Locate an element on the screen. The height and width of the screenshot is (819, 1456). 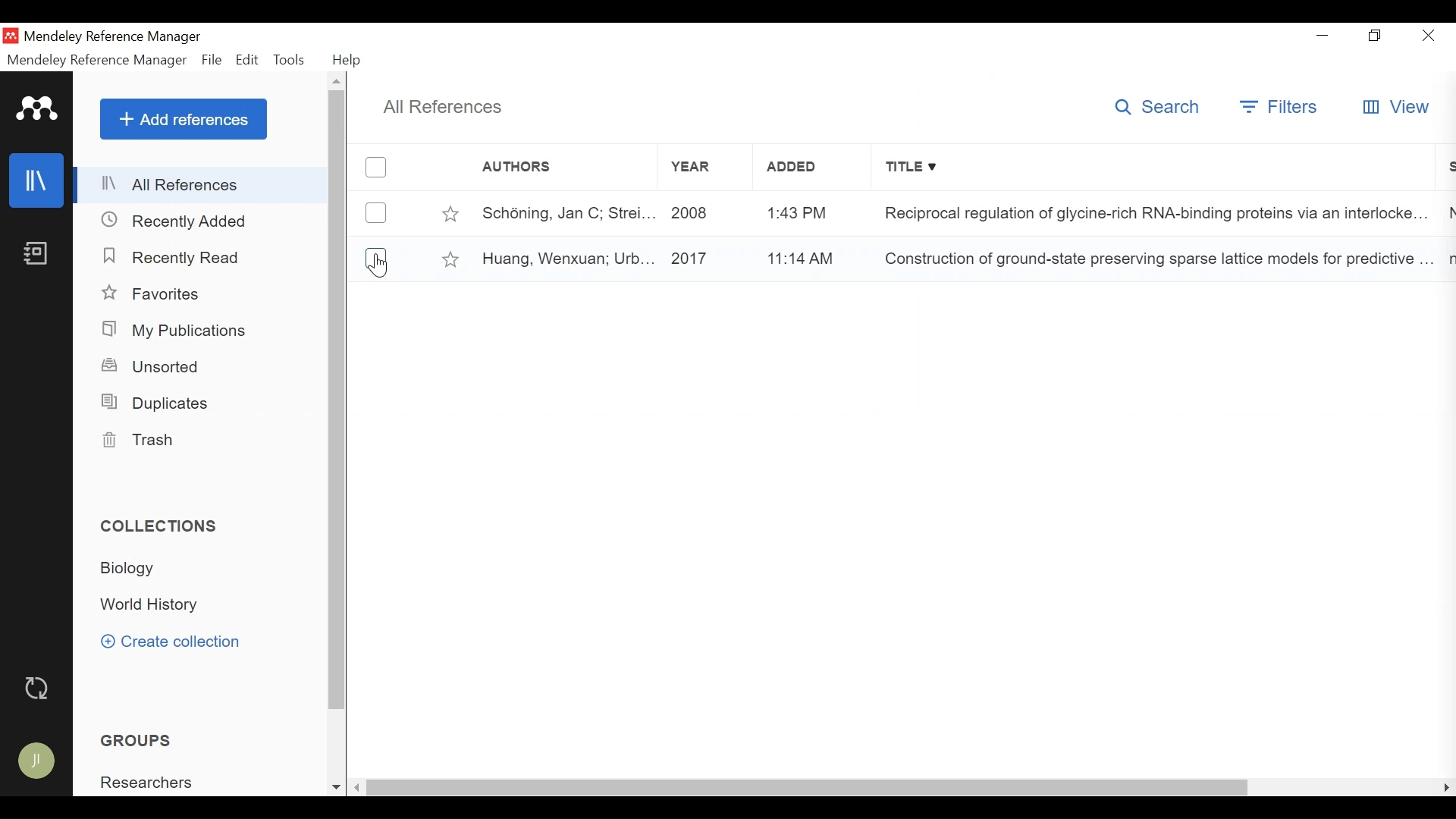
Help is located at coordinates (352, 60).